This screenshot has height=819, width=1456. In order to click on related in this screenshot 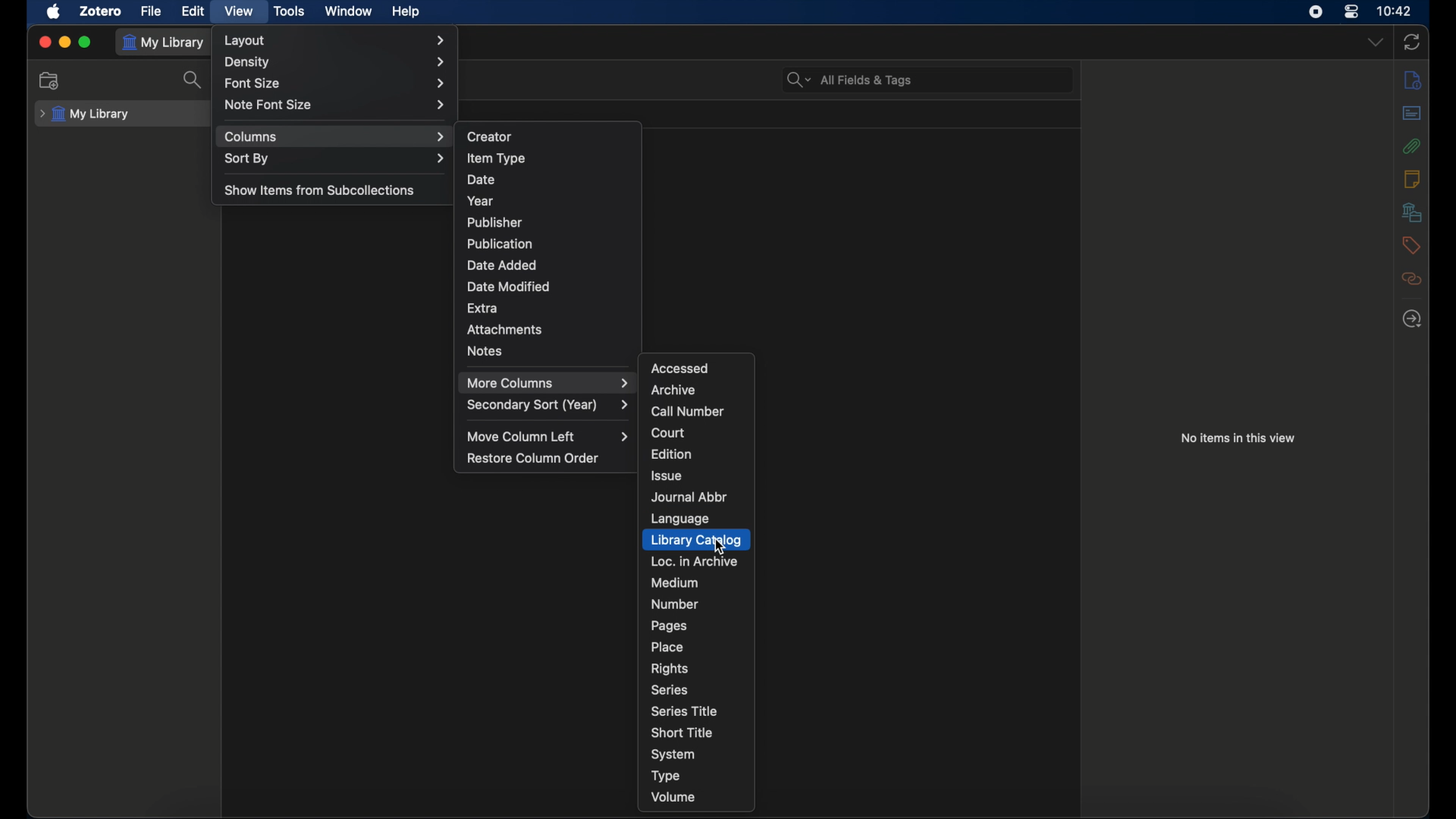, I will do `click(1411, 278)`.